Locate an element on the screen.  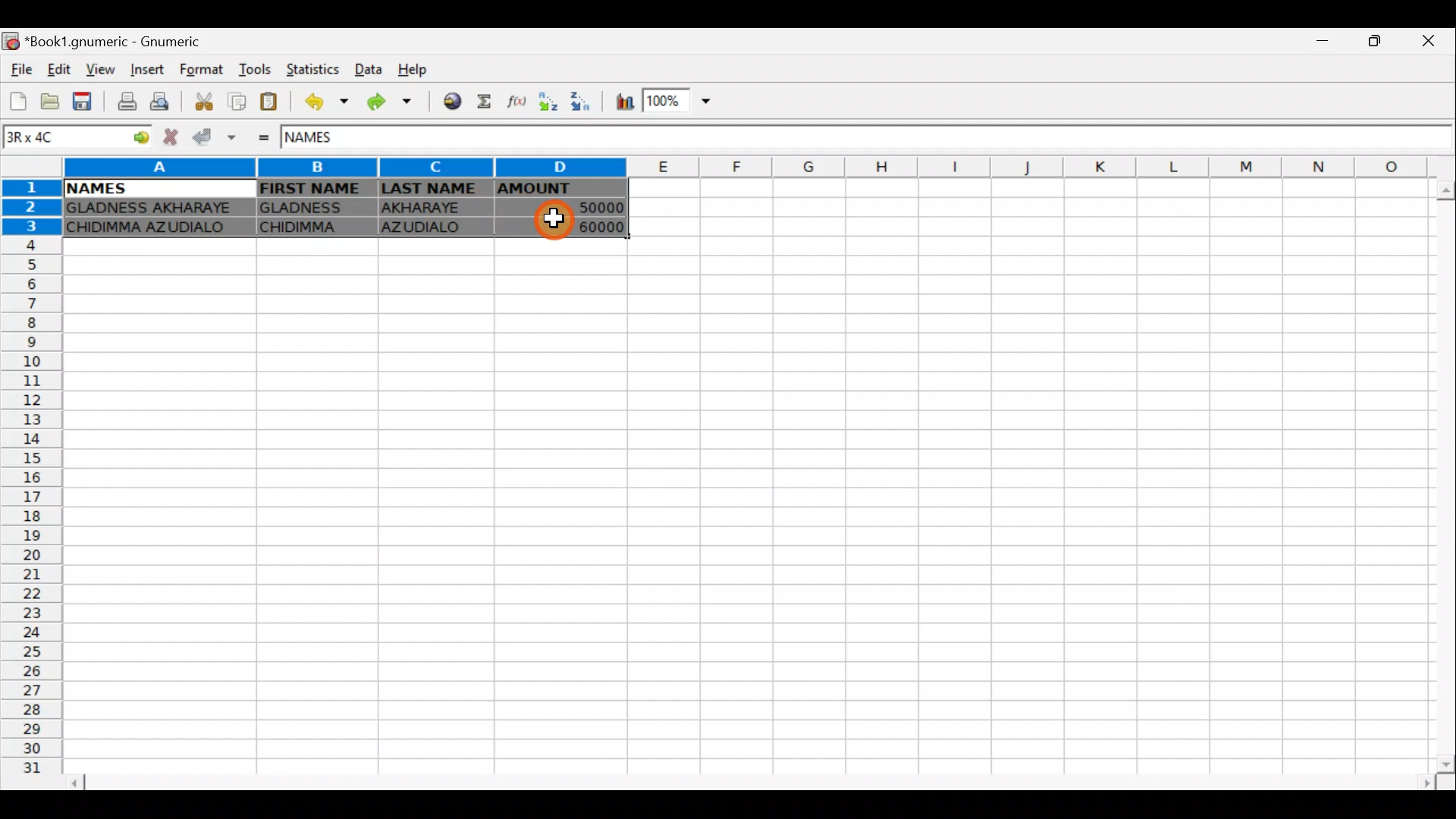
Cell name 3Rx4C is located at coordinates (56, 139).